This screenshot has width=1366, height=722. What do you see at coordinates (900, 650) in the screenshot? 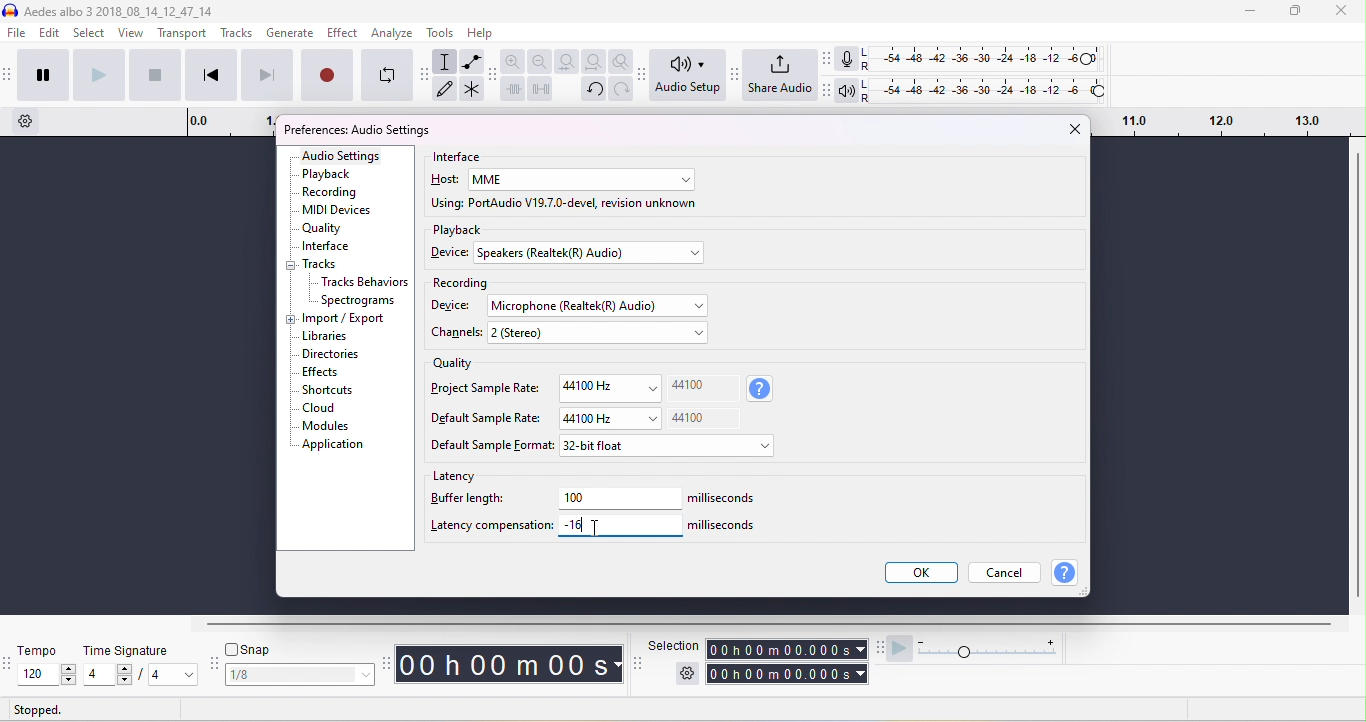
I see `play at speed/ play at speed once` at bounding box center [900, 650].